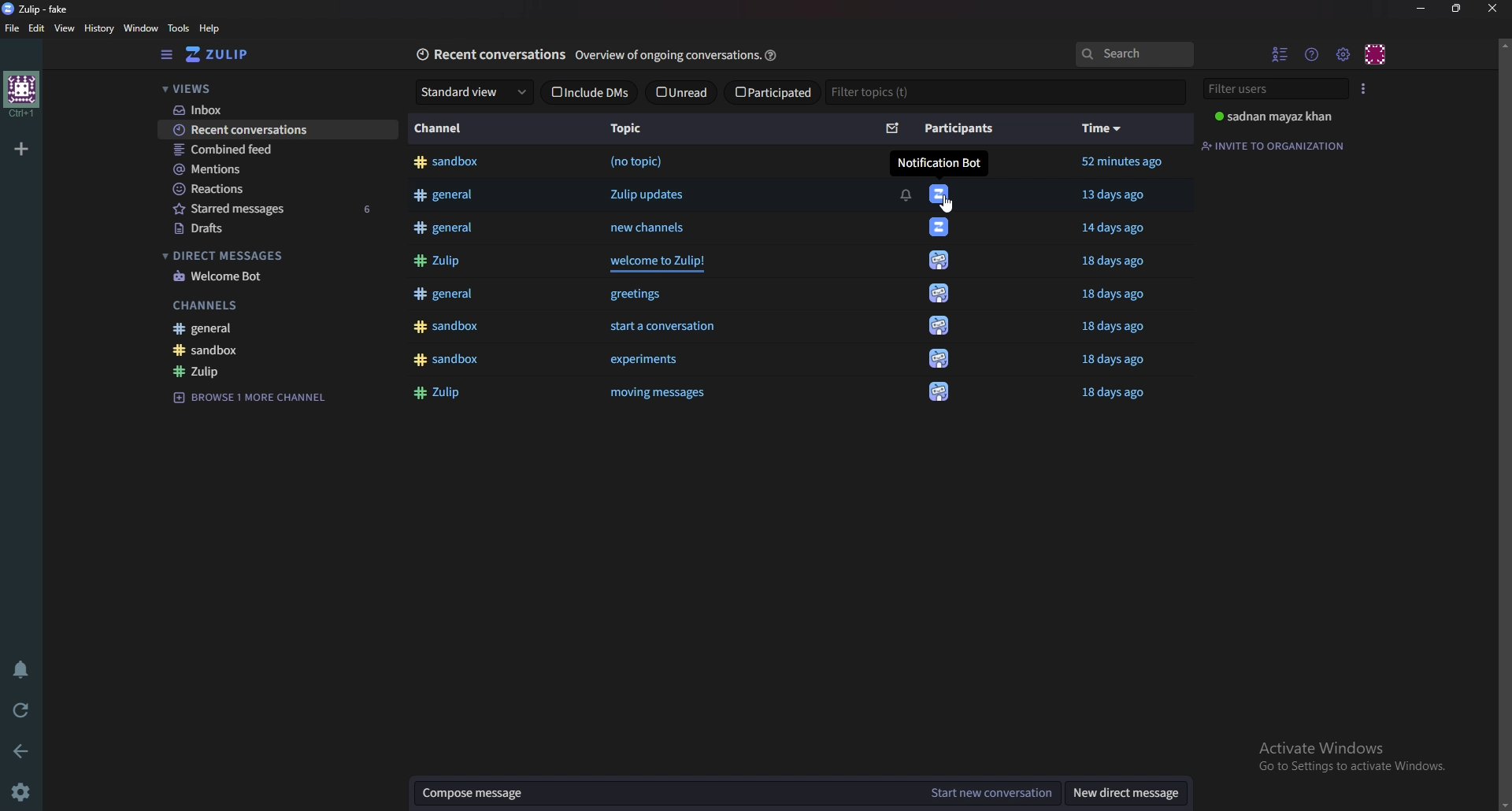  I want to click on Back, so click(24, 751).